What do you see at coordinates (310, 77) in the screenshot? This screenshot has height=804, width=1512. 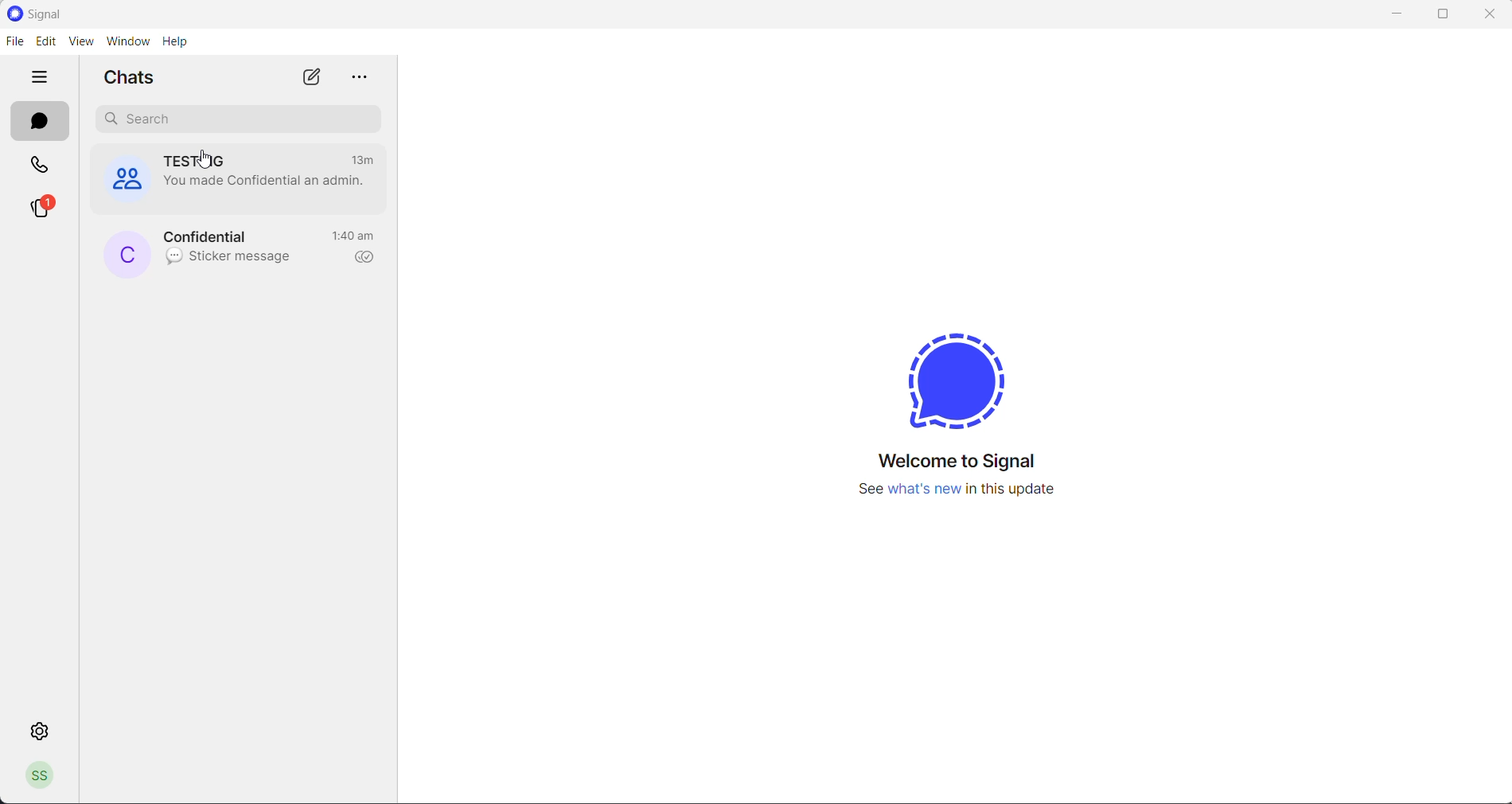 I see `new chat` at bounding box center [310, 77].